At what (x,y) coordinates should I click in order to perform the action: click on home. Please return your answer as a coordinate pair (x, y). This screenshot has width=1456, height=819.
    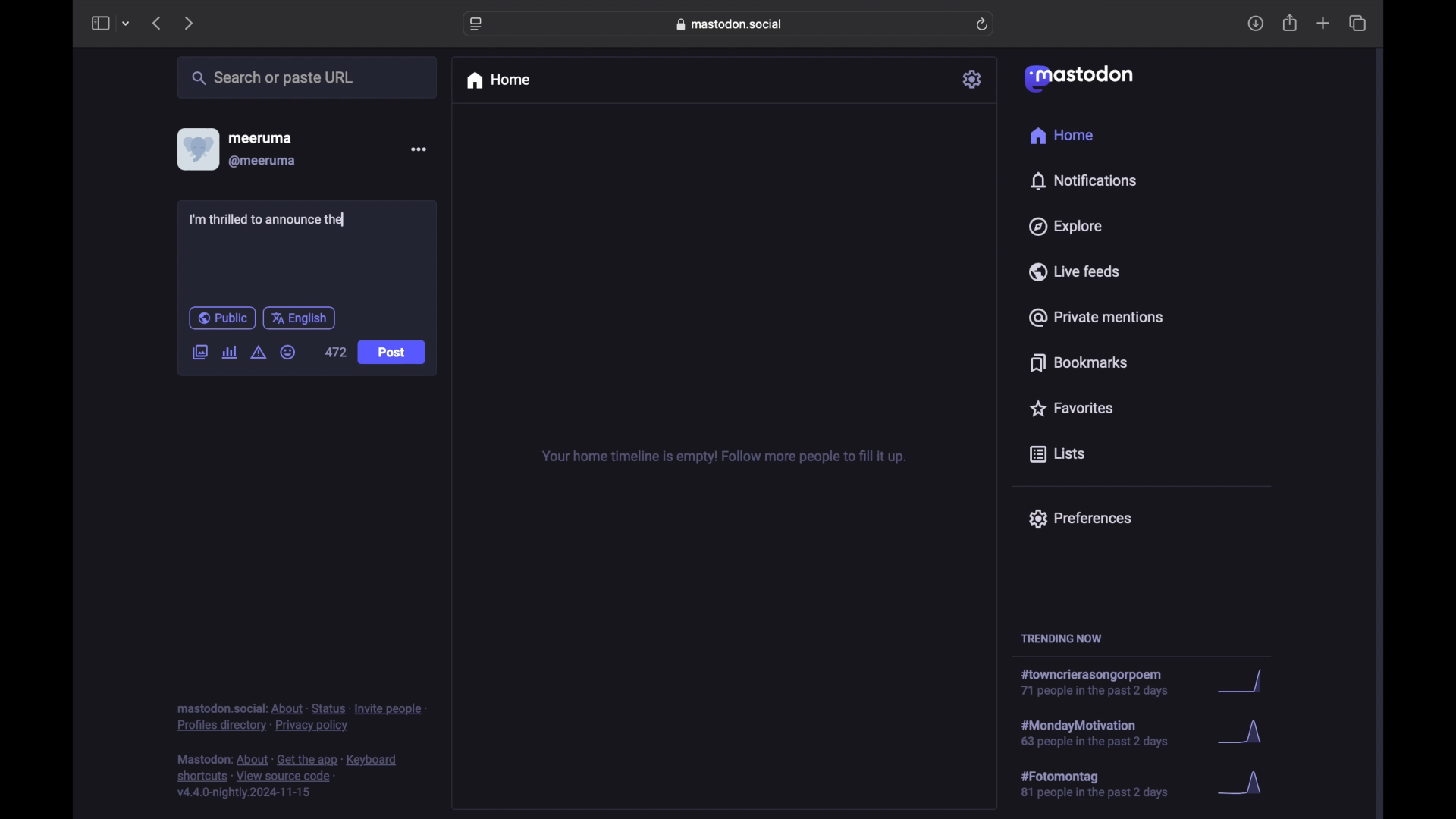
    Looking at the image, I should click on (497, 80).